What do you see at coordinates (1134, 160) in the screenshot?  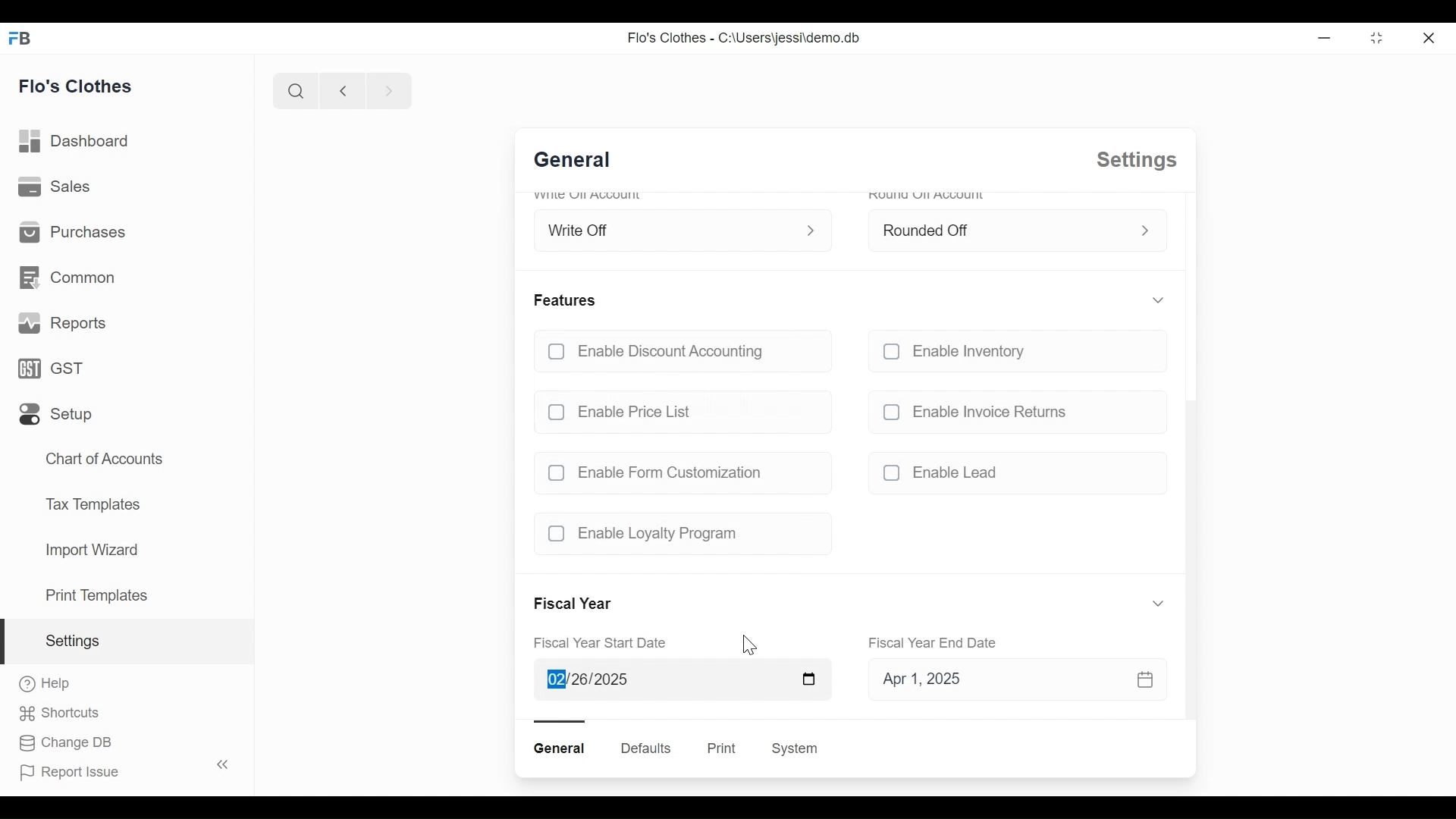 I see `Settings` at bounding box center [1134, 160].